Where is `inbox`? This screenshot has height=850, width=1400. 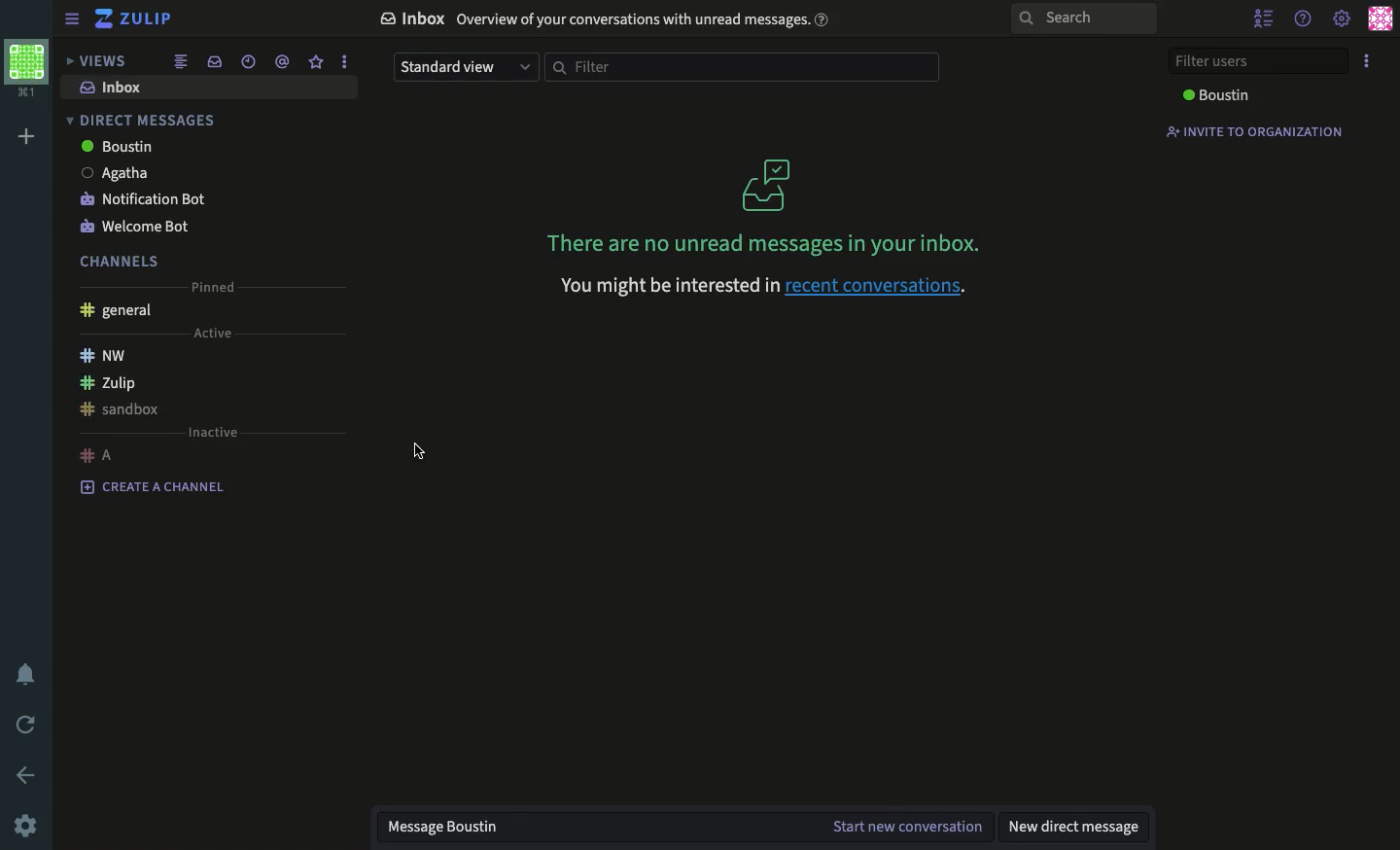
inbox is located at coordinates (115, 87).